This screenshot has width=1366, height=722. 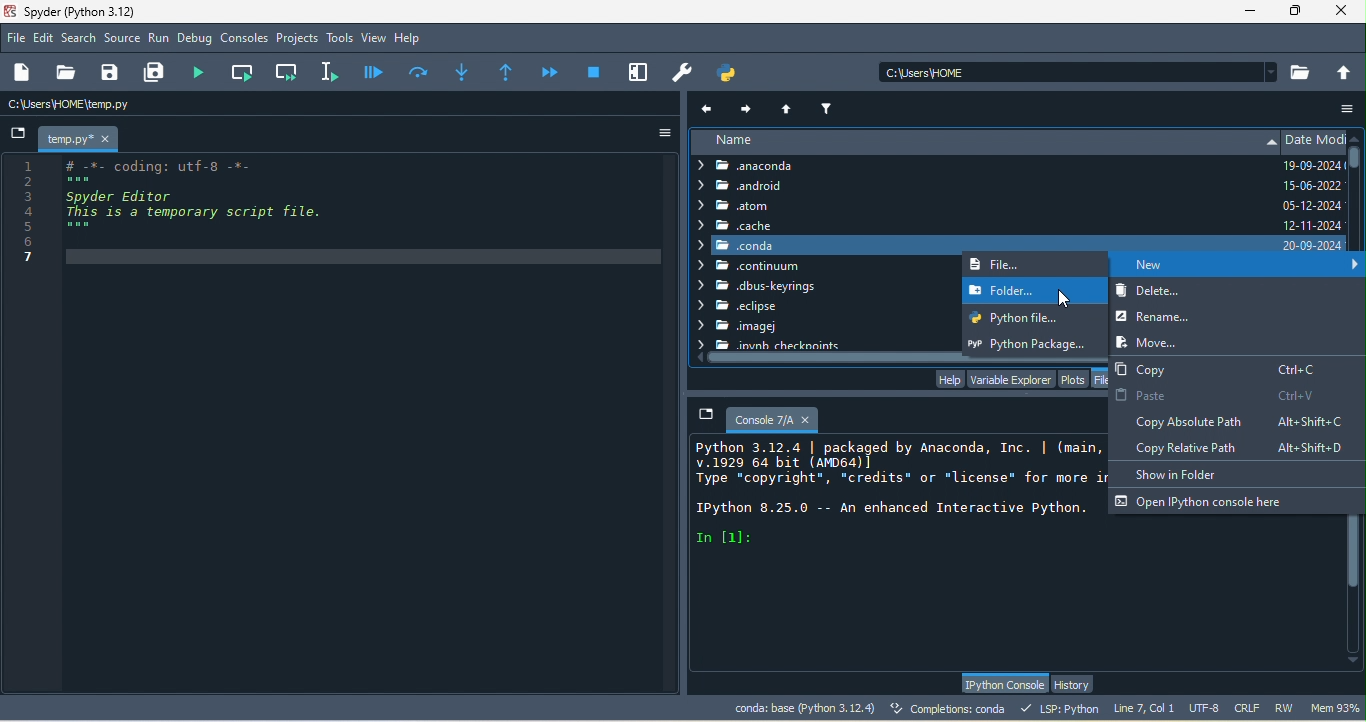 What do you see at coordinates (374, 38) in the screenshot?
I see `view` at bounding box center [374, 38].